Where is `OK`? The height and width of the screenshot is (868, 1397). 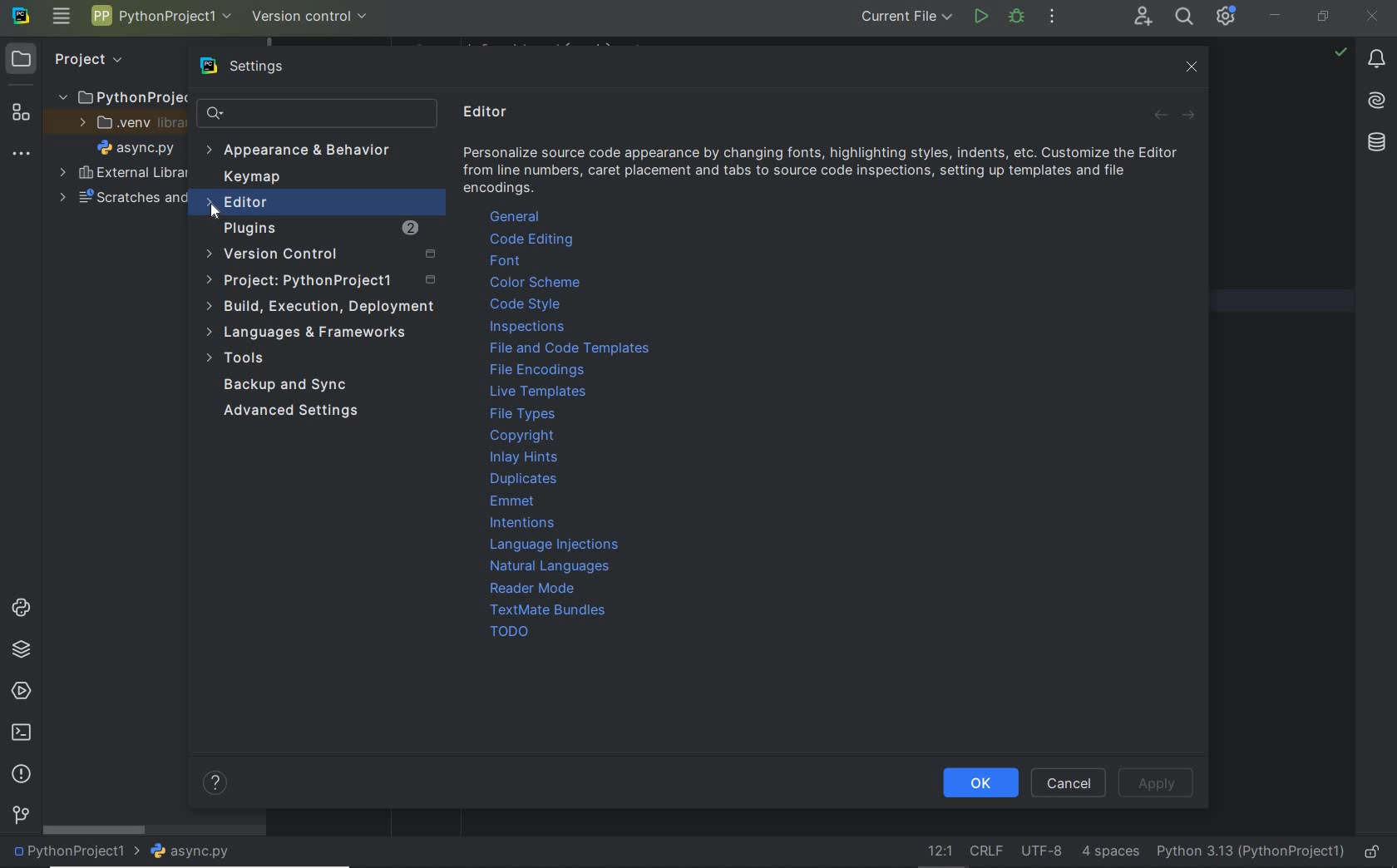 OK is located at coordinates (980, 782).